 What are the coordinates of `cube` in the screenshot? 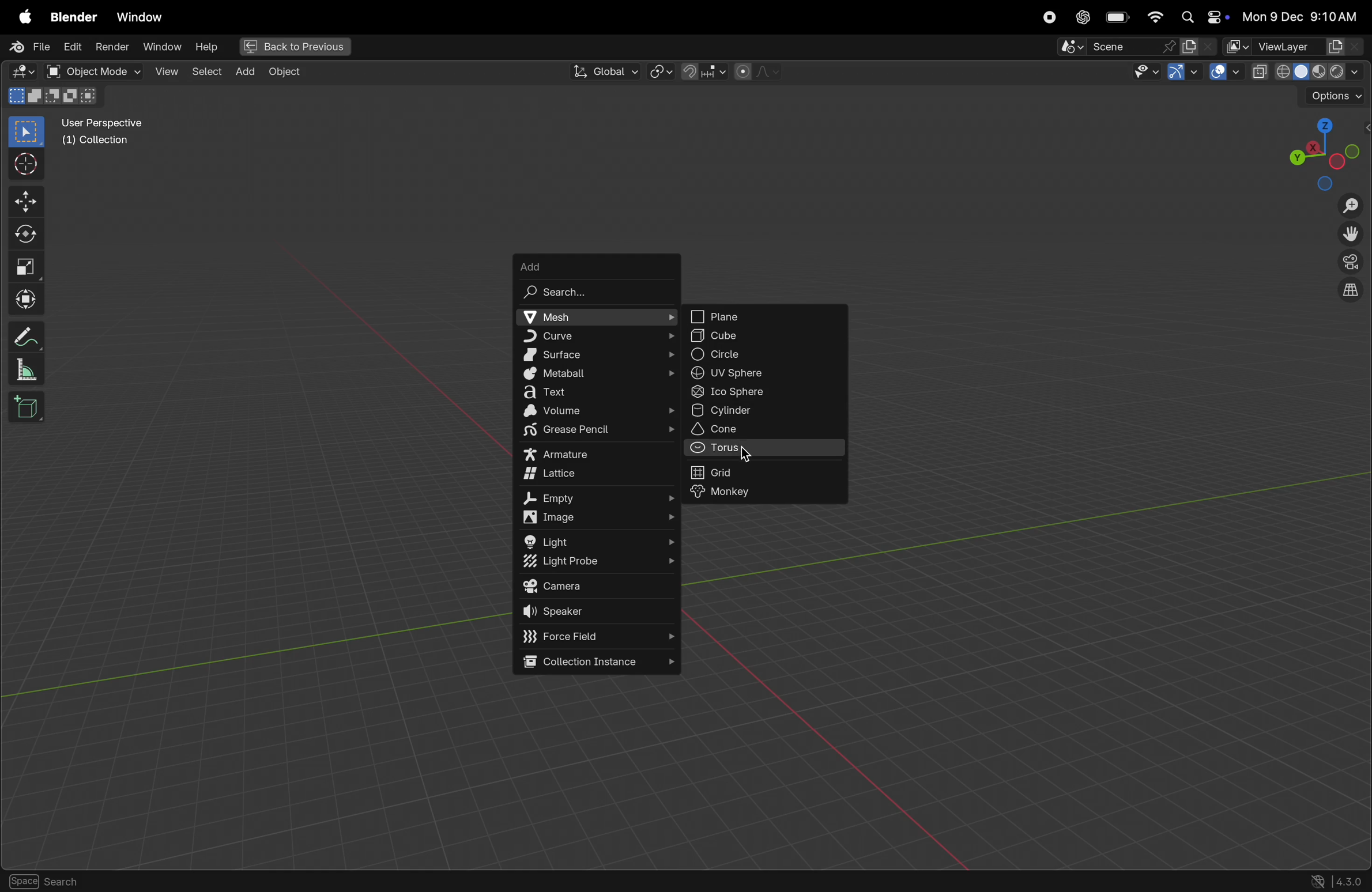 It's located at (765, 337).